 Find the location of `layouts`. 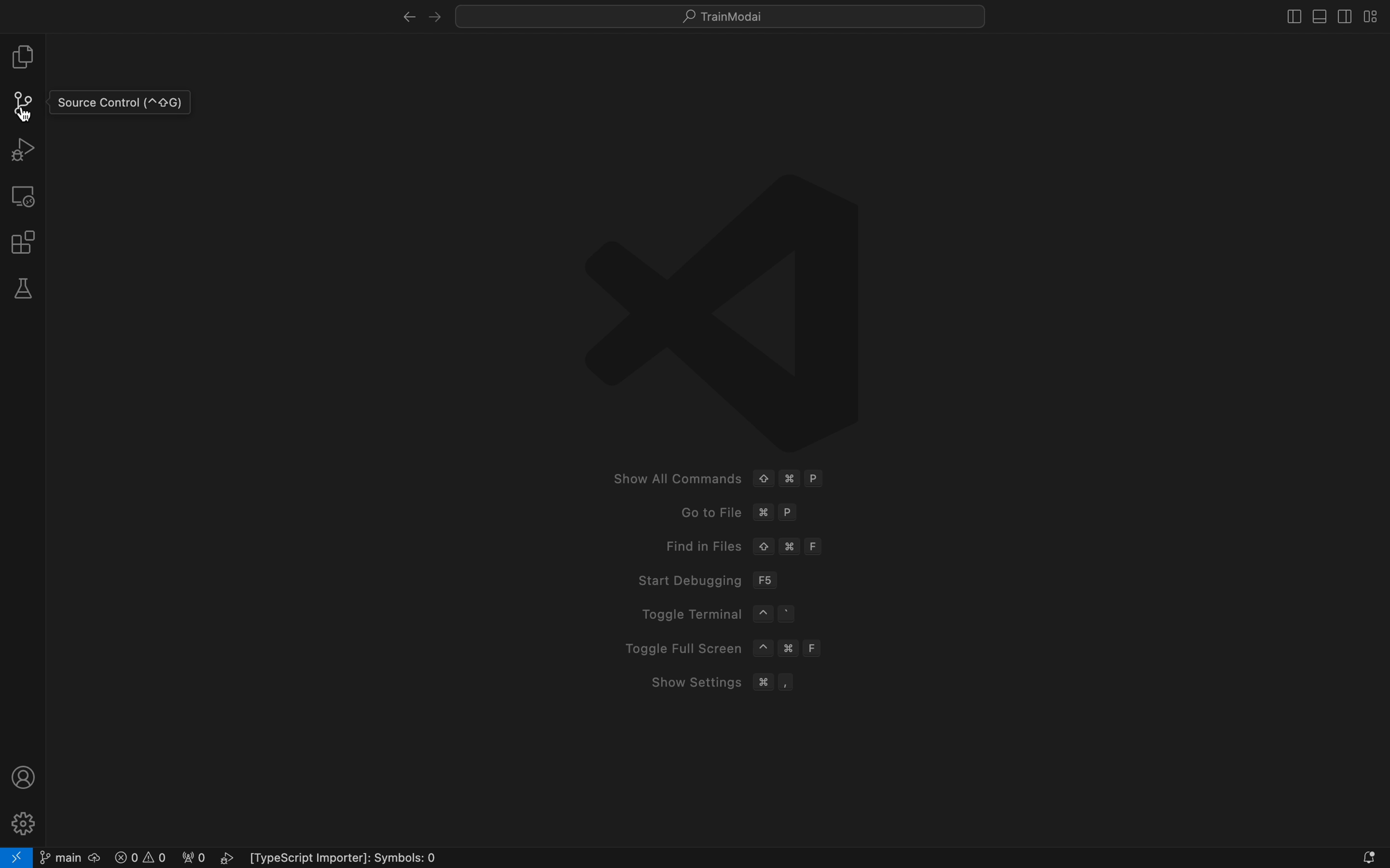

layouts is located at coordinates (1368, 16).